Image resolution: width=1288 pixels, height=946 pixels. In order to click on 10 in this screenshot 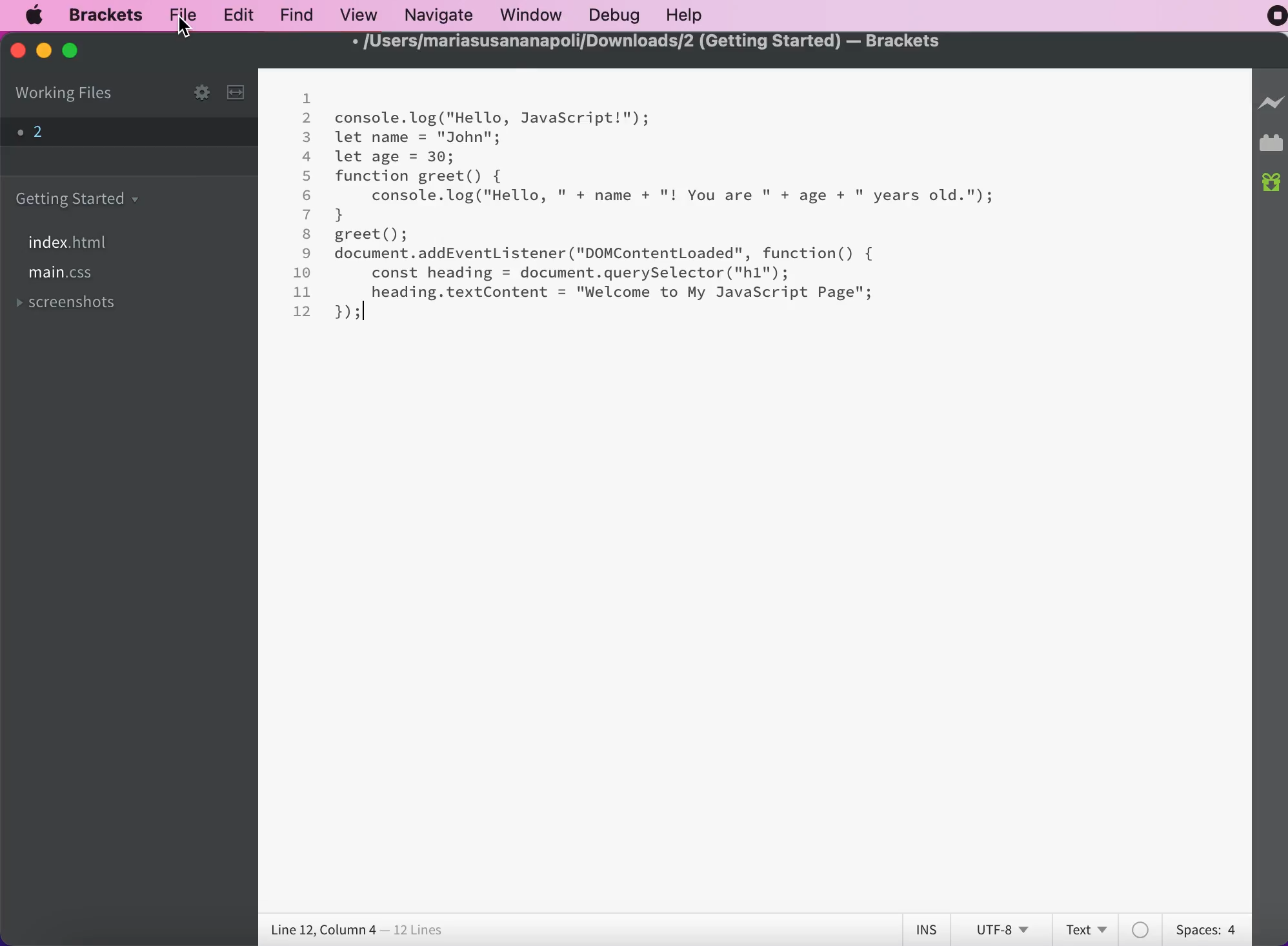, I will do `click(303, 272)`.